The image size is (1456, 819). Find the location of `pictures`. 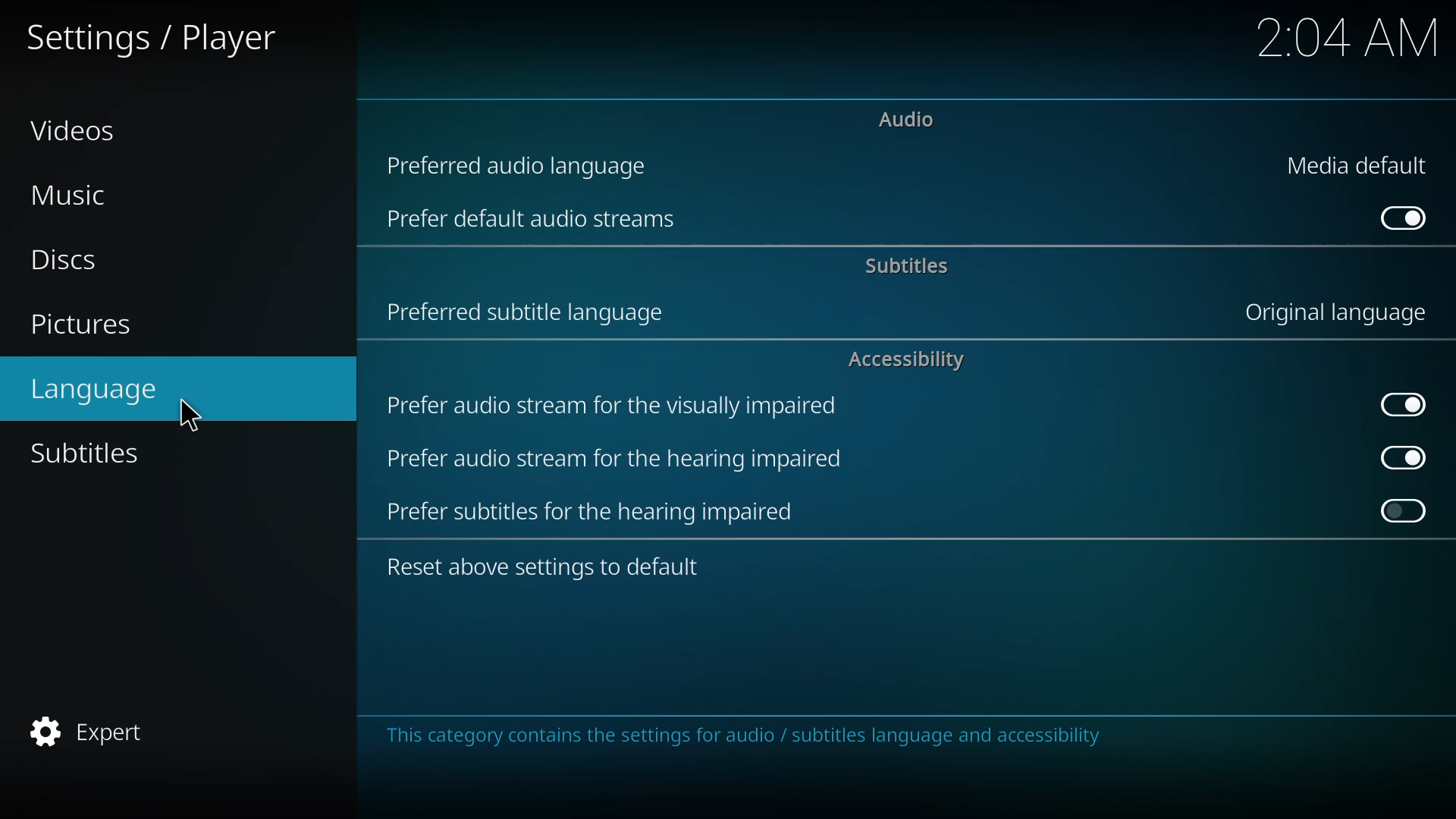

pictures is located at coordinates (83, 323).